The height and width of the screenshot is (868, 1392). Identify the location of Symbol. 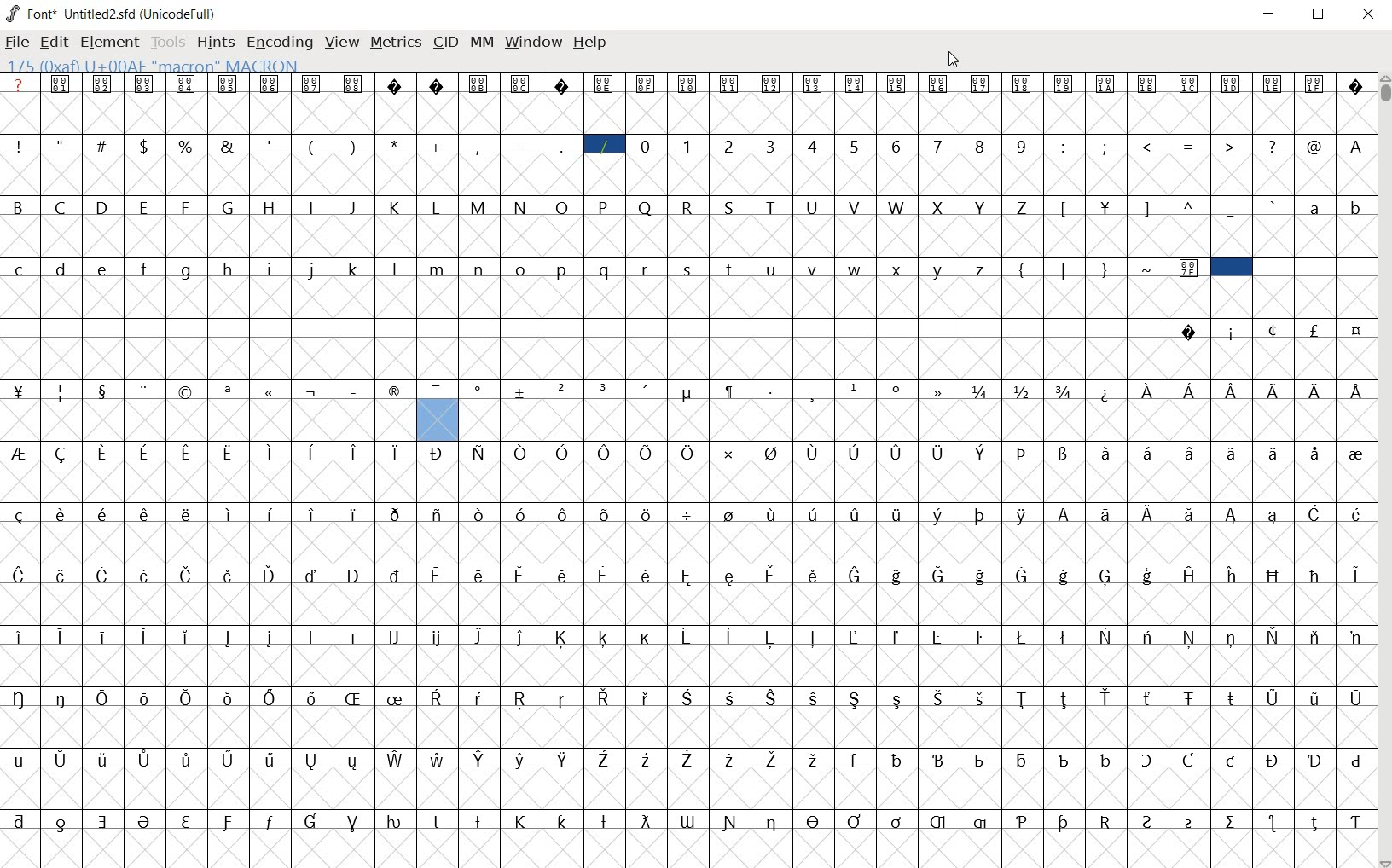
(731, 83).